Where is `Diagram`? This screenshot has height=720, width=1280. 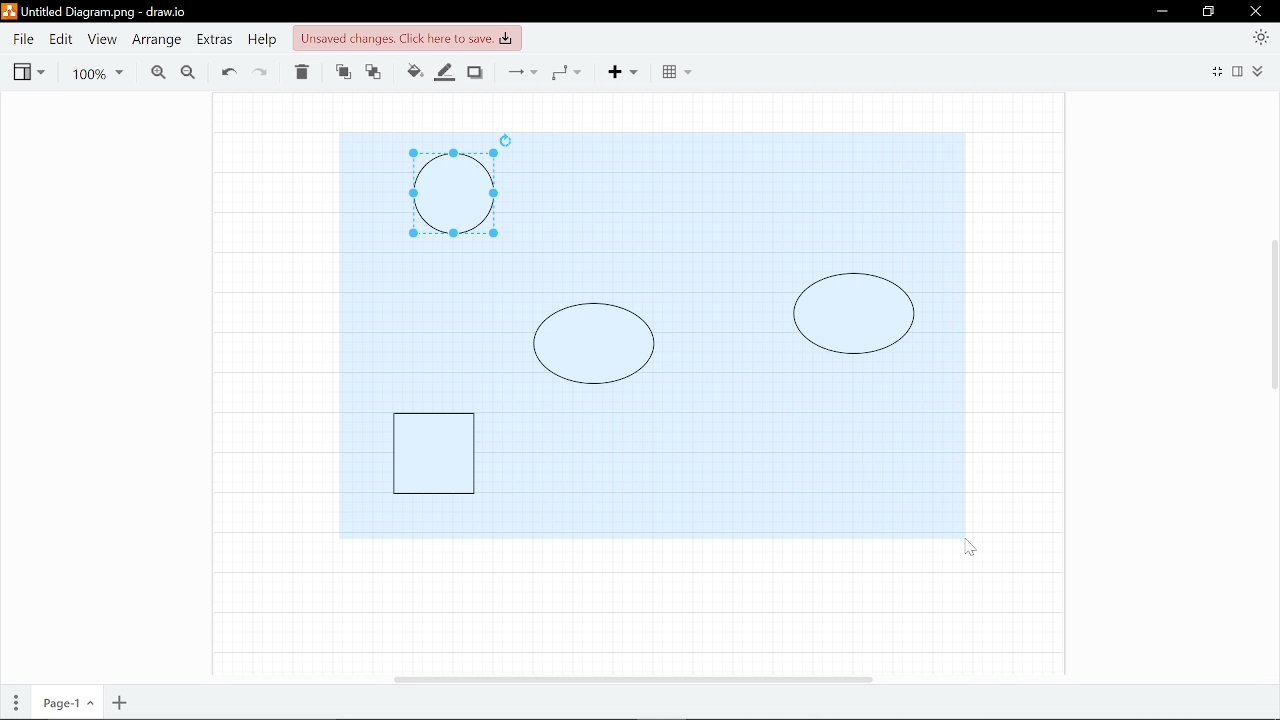 Diagram is located at coordinates (594, 343).